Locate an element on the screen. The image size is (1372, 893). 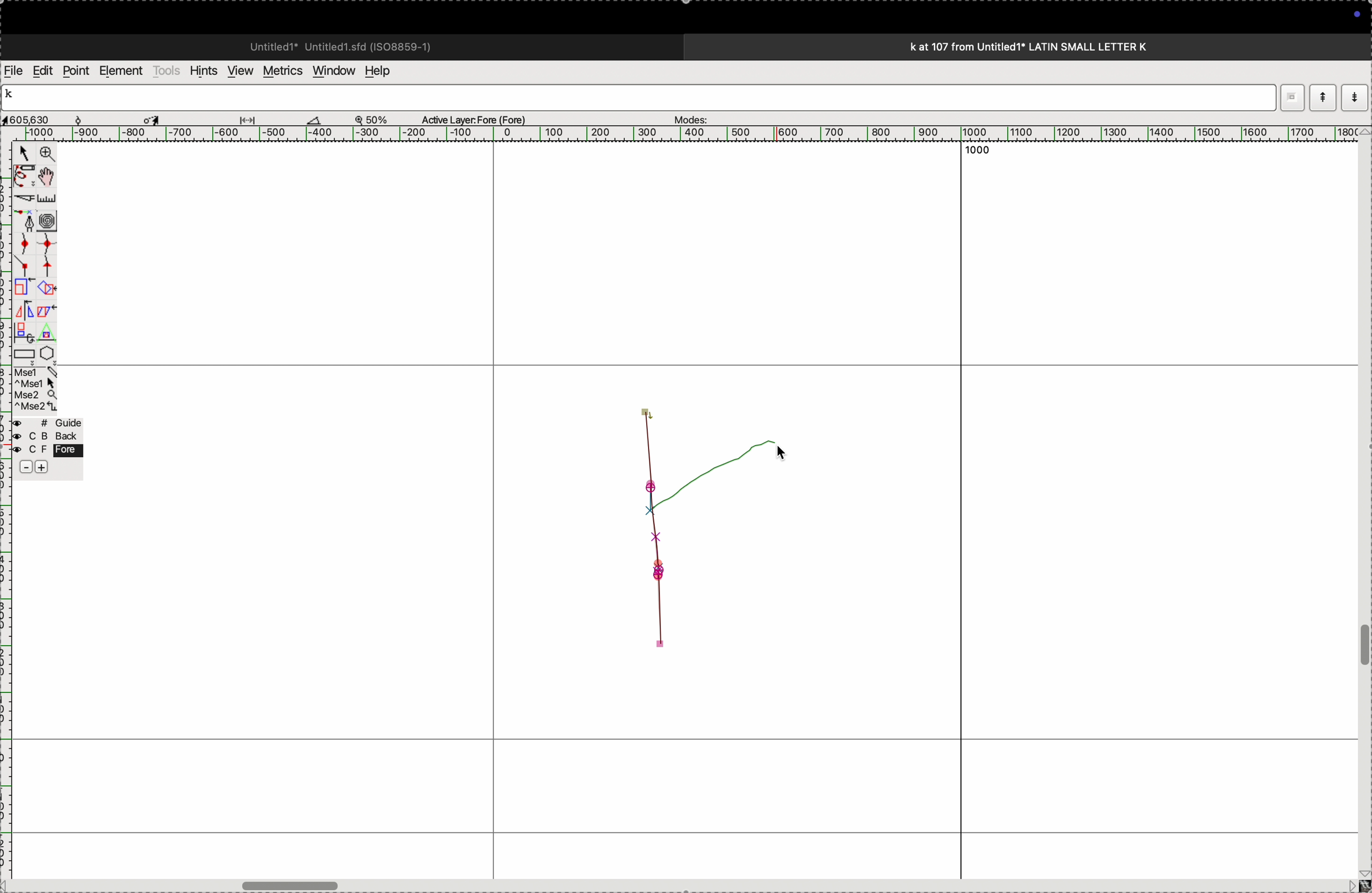
modes is located at coordinates (687, 116).